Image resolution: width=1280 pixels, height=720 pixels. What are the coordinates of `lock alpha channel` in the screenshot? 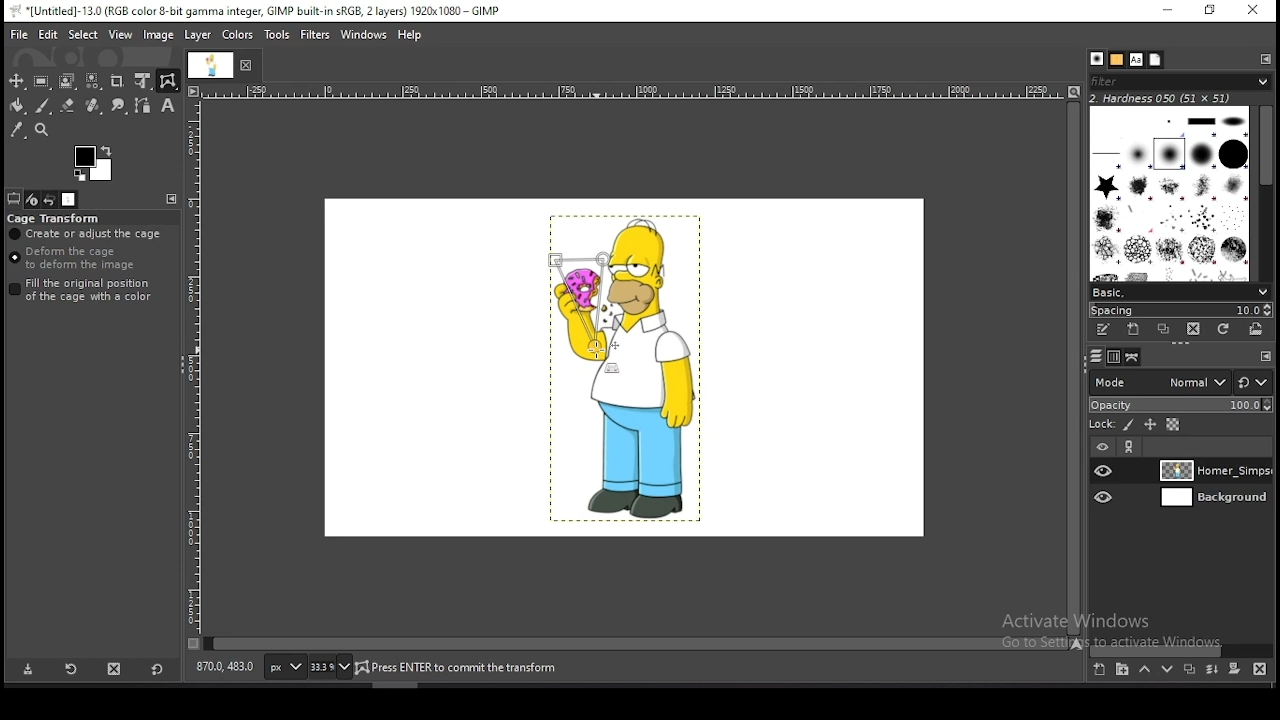 It's located at (1172, 426).